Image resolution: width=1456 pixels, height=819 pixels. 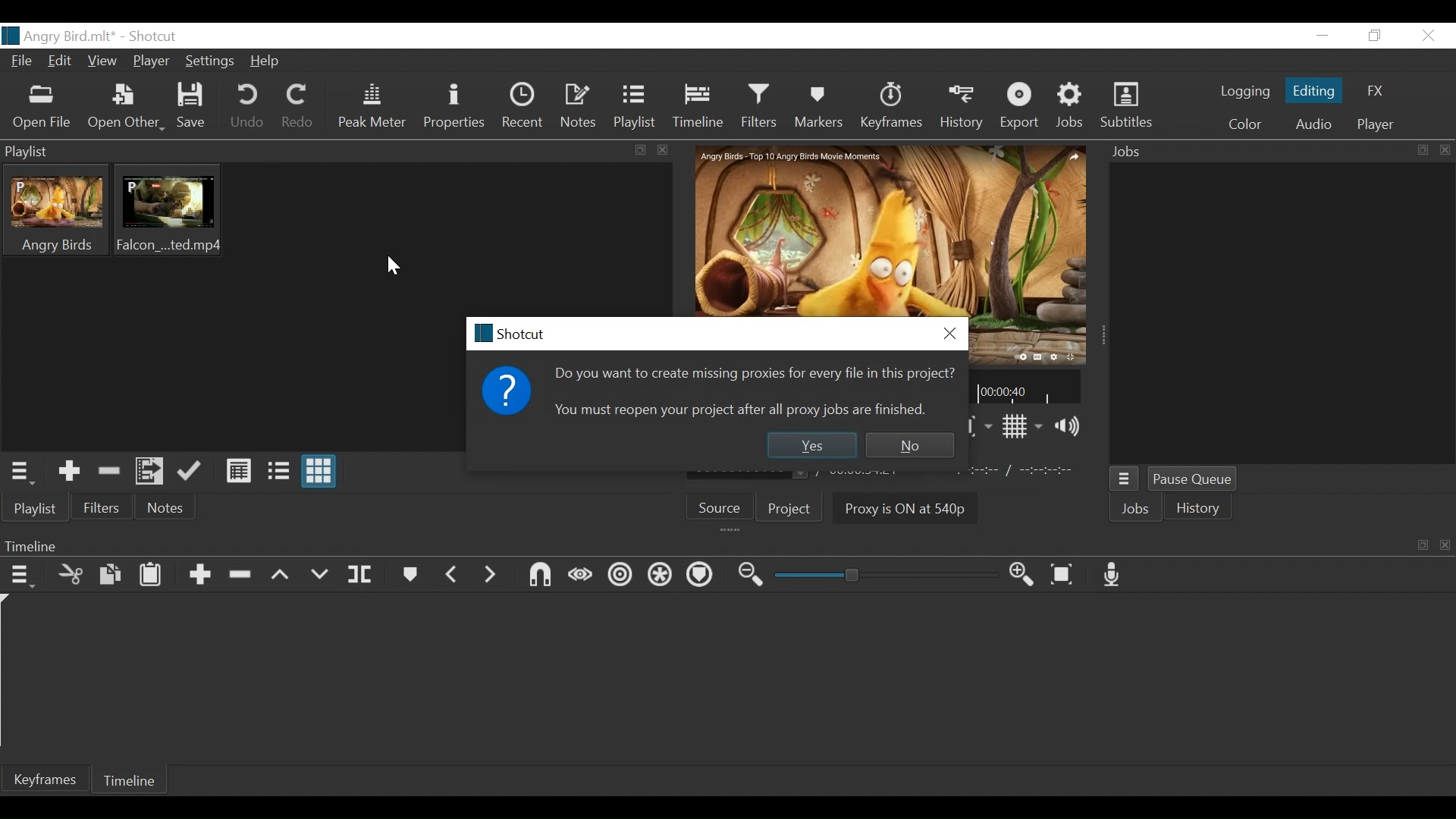 What do you see at coordinates (456, 575) in the screenshot?
I see `Previous marker` at bounding box center [456, 575].